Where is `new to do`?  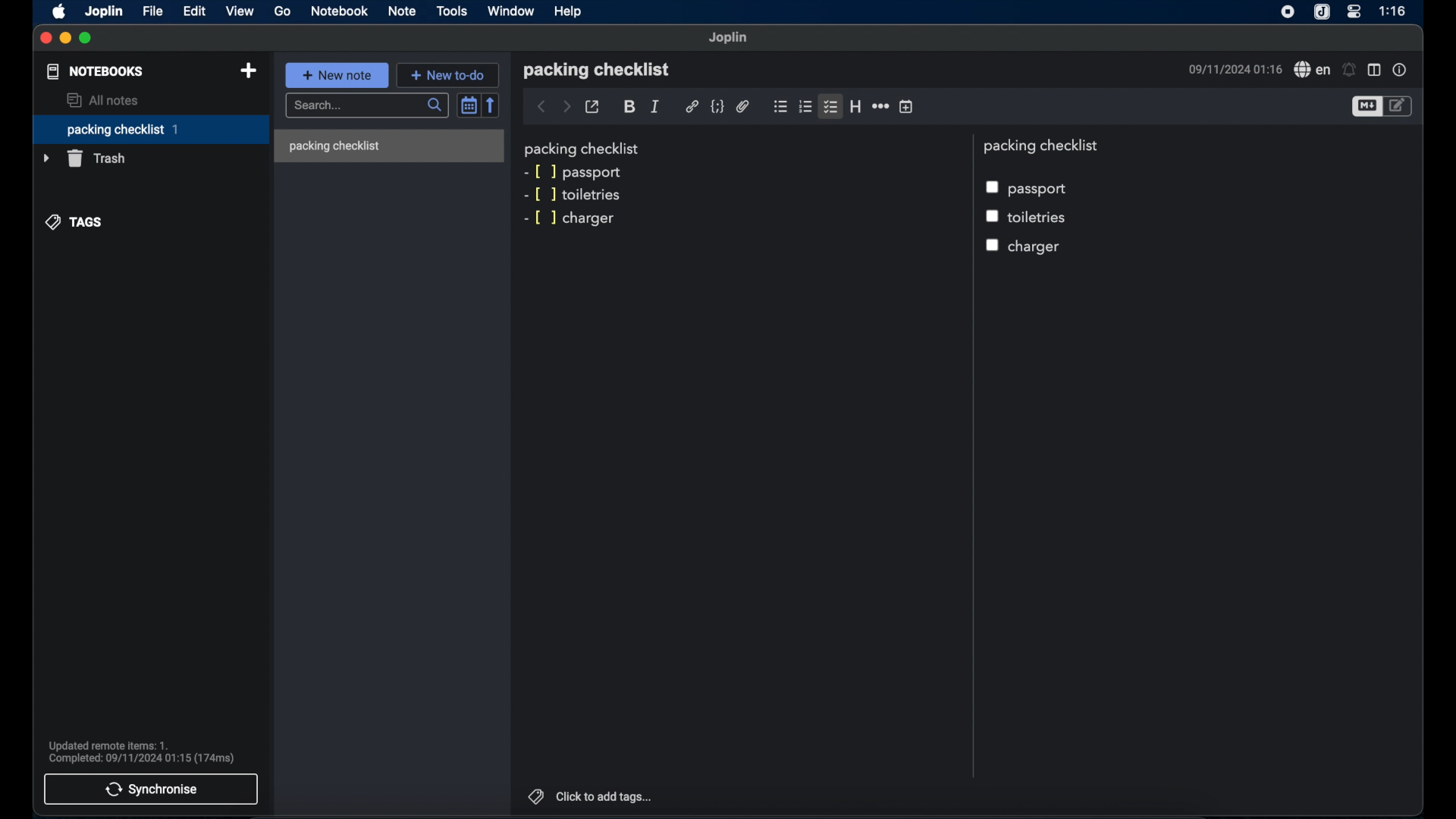 new to do is located at coordinates (448, 74).